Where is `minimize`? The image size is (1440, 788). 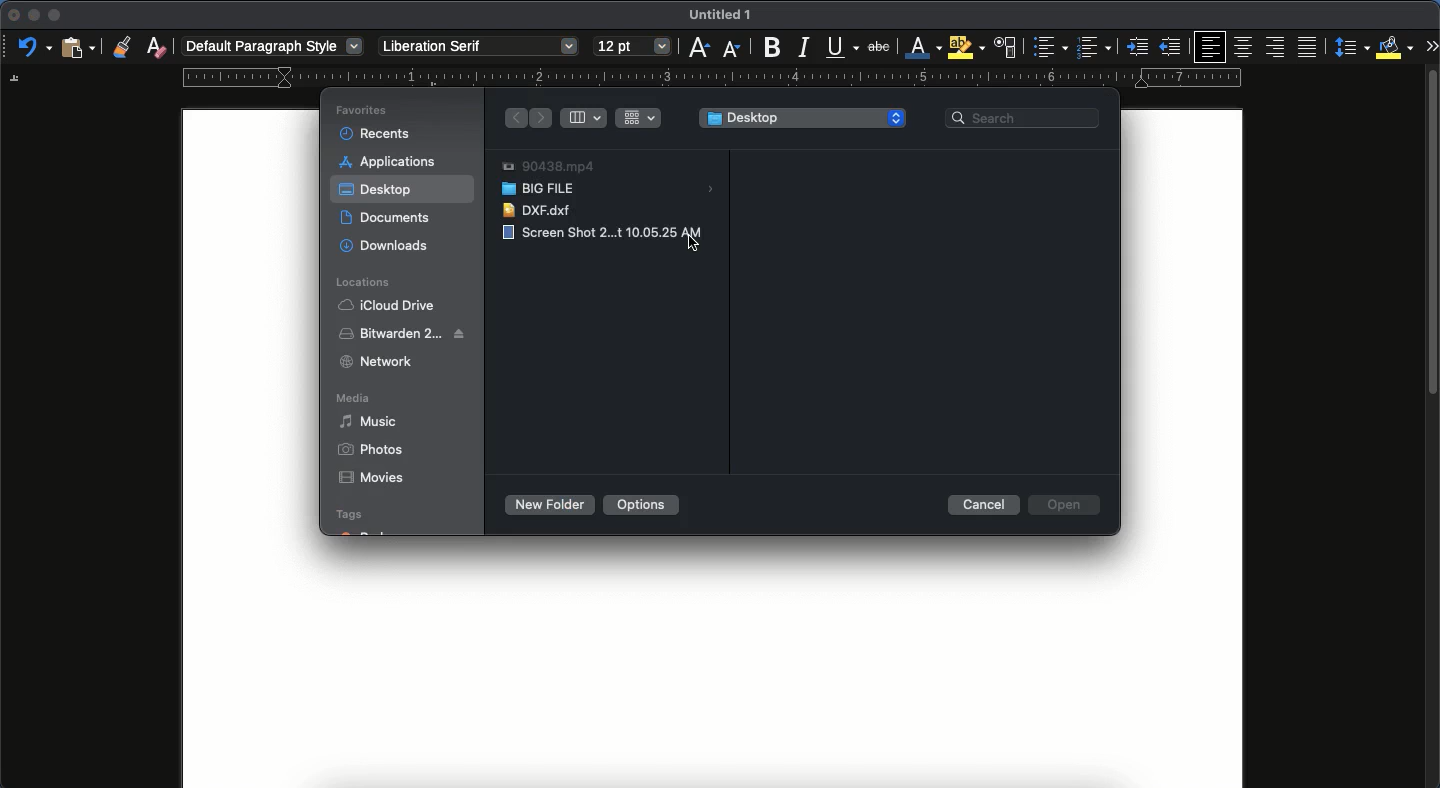
minimize is located at coordinates (33, 15).